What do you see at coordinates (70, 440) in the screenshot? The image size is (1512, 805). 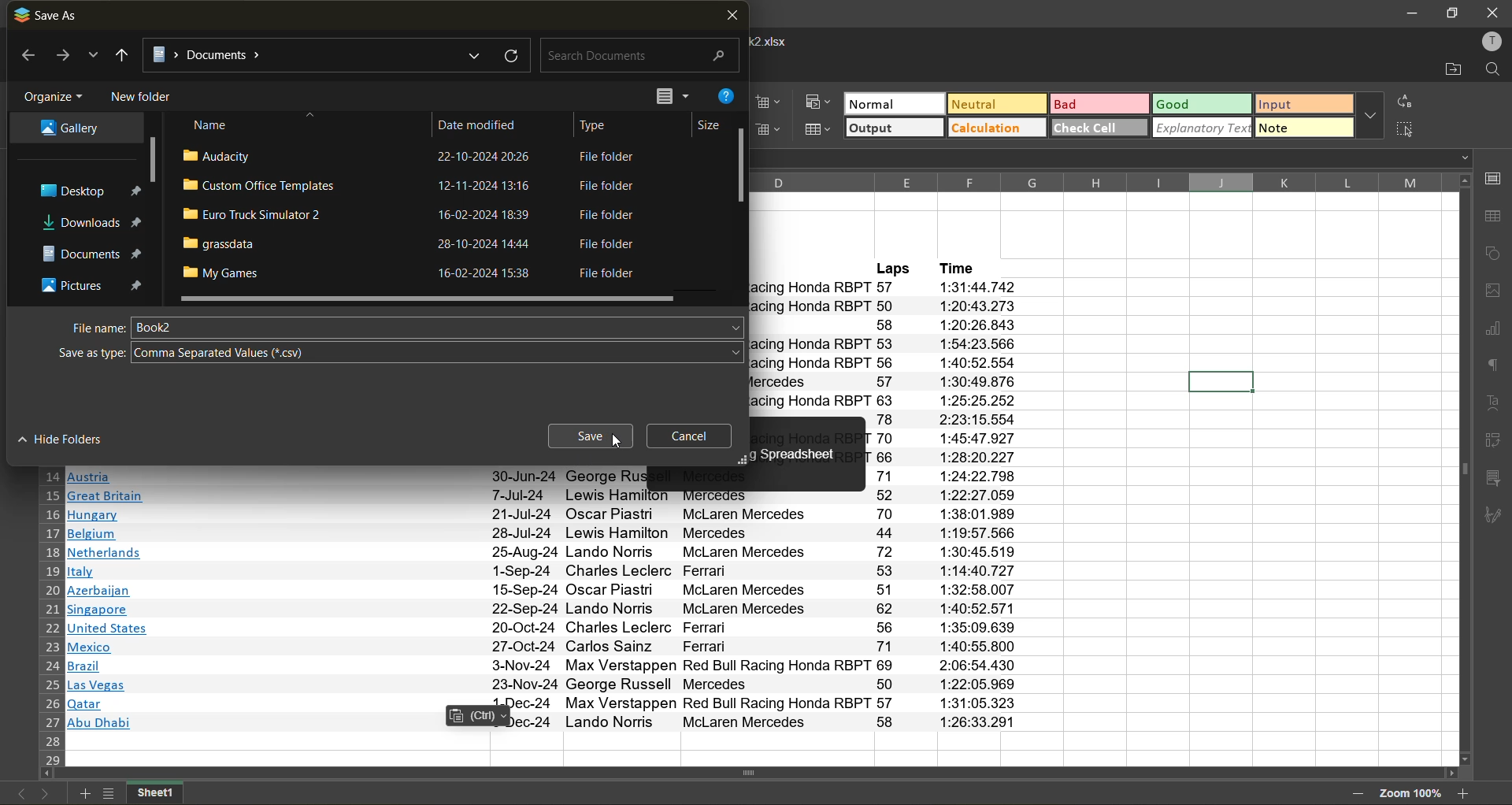 I see `hide folders` at bounding box center [70, 440].